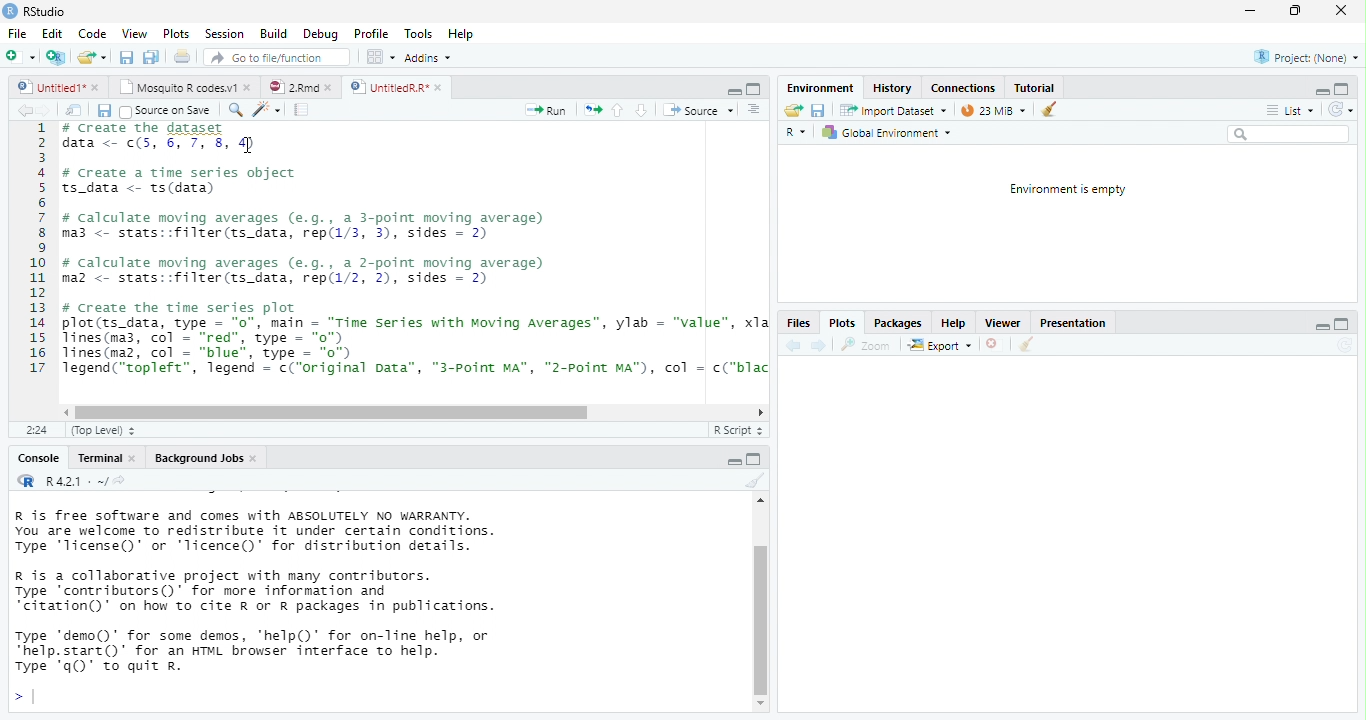 This screenshot has width=1366, height=720. What do you see at coordinates (761, 619) in the screenshot?
I see `vertical scrollbar` at bounding box center [761, 619].